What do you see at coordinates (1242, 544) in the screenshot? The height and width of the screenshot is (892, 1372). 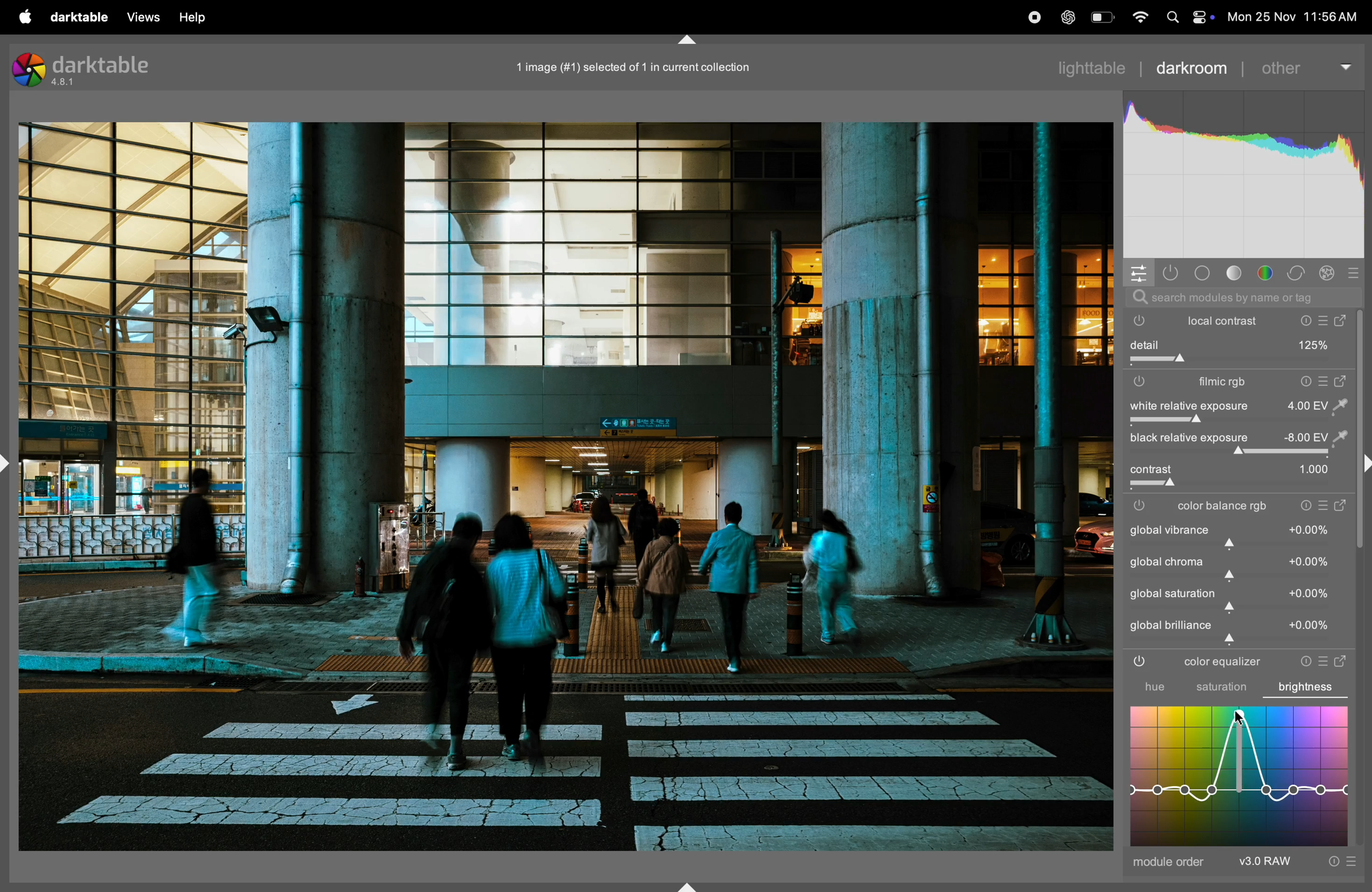 I see `slider` at bounding box center [1242, 544].